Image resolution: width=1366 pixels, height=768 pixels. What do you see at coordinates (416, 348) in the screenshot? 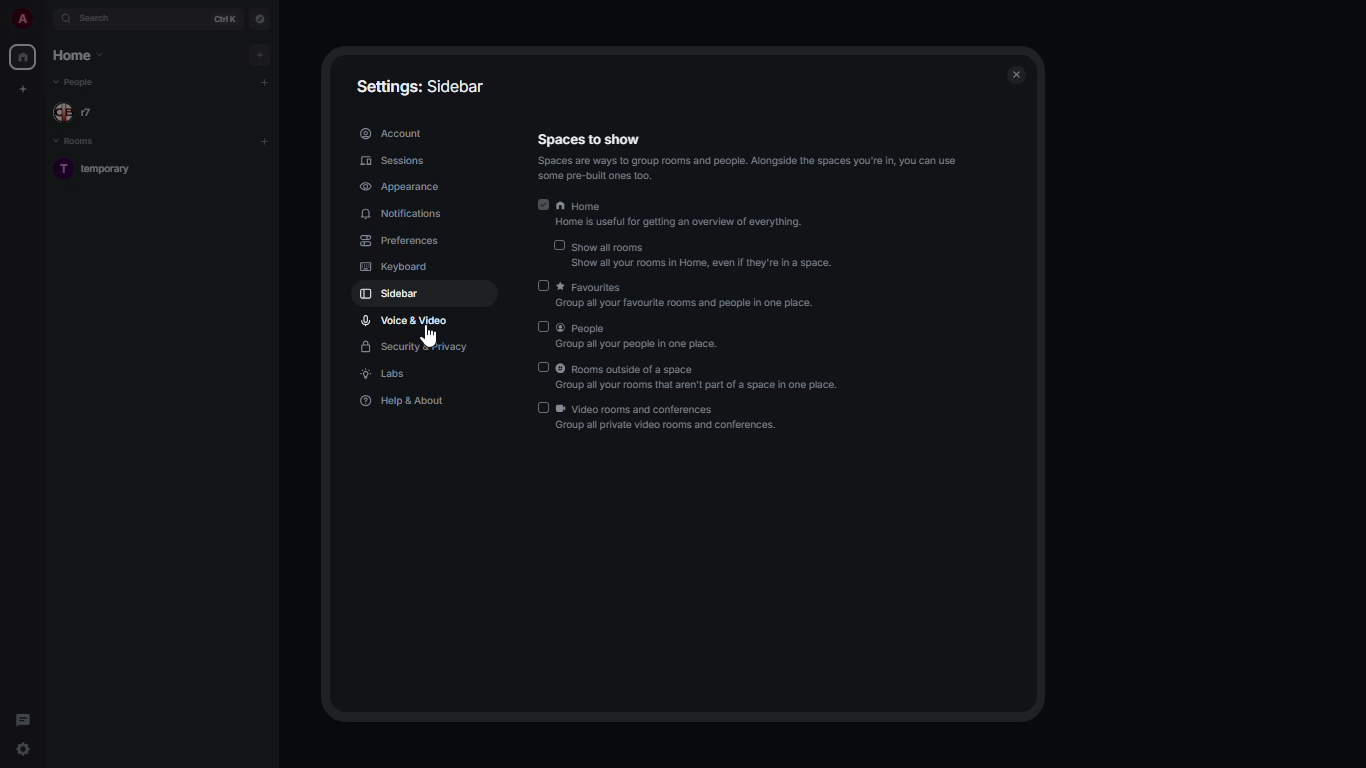
I see `security & privacy` at bounding box center [416, 348].